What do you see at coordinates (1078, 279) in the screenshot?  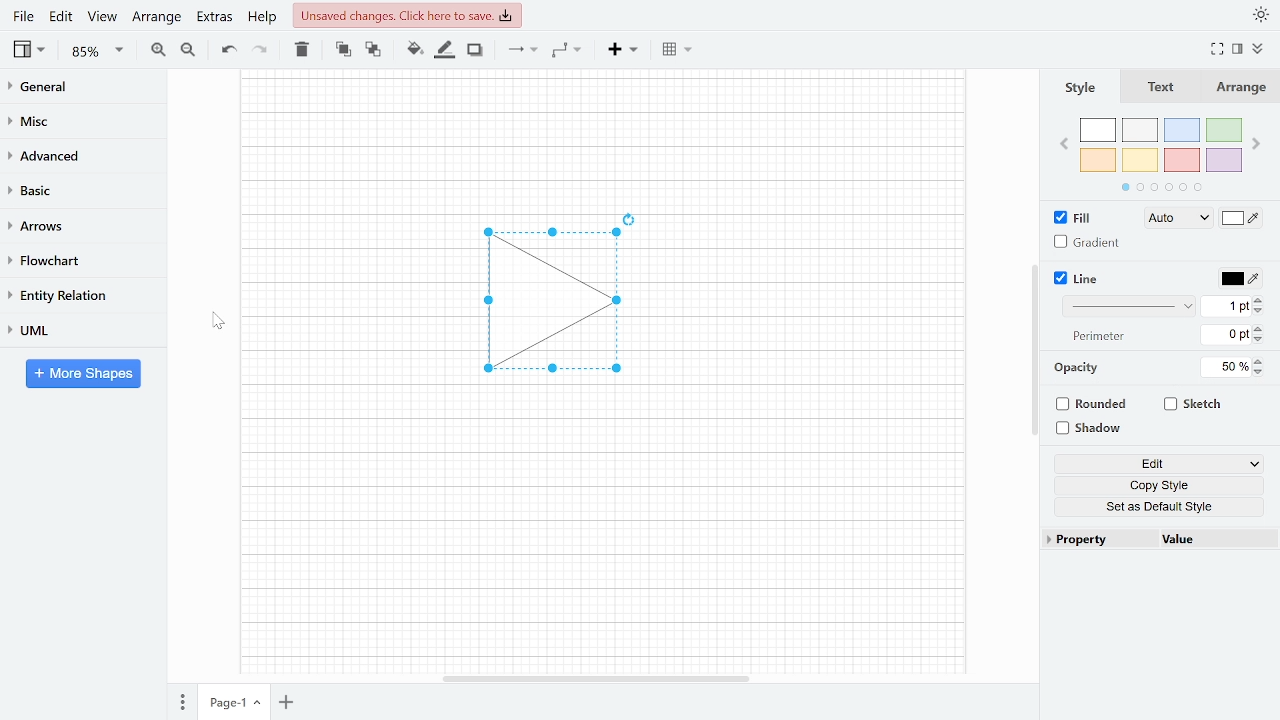 I see `Line` at bounding box center [1078, 279].